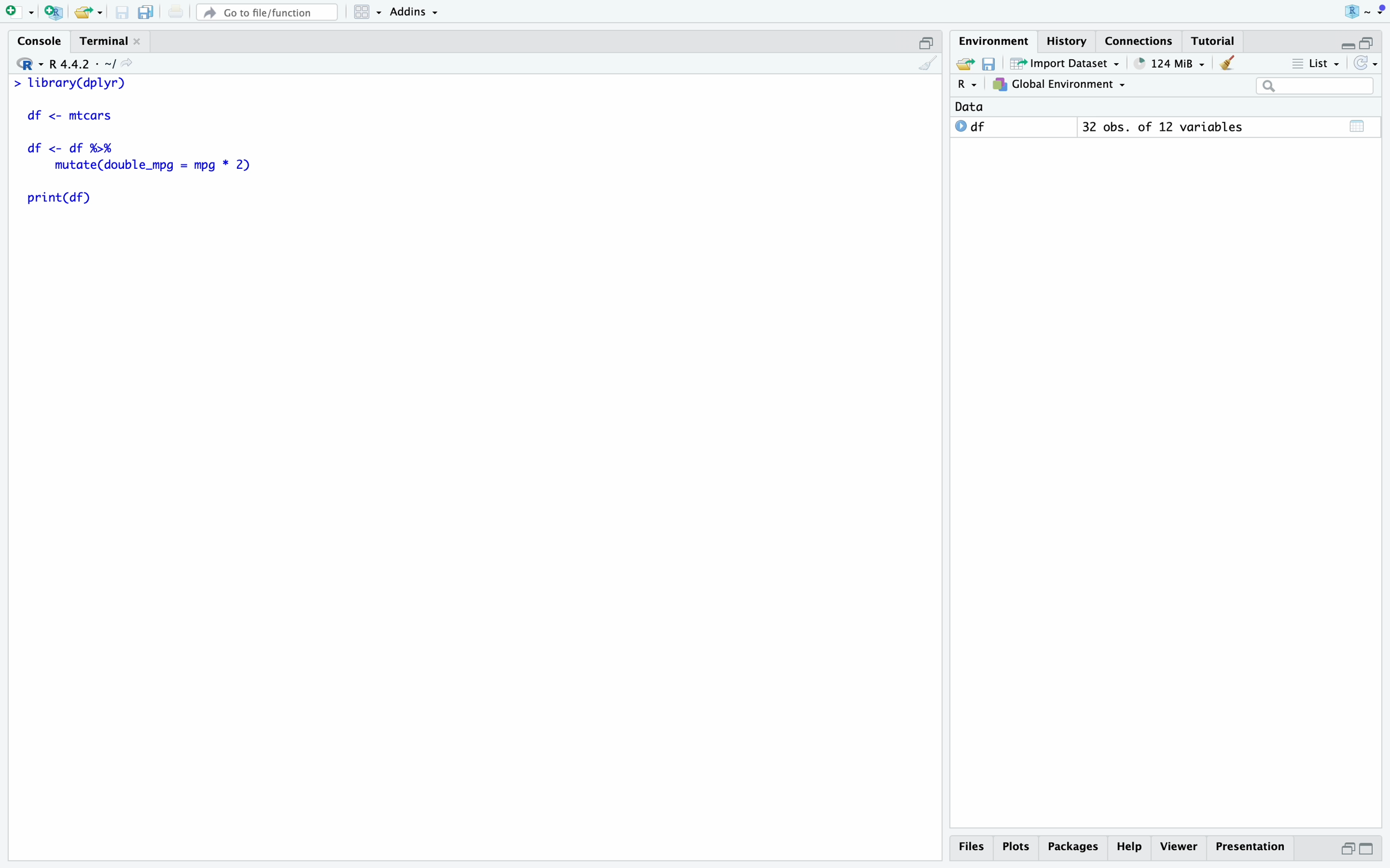 The image size is (1390, 868). Describe the element at coordinates (1250, 847) in the screenshot. I see `presentation` at that location.